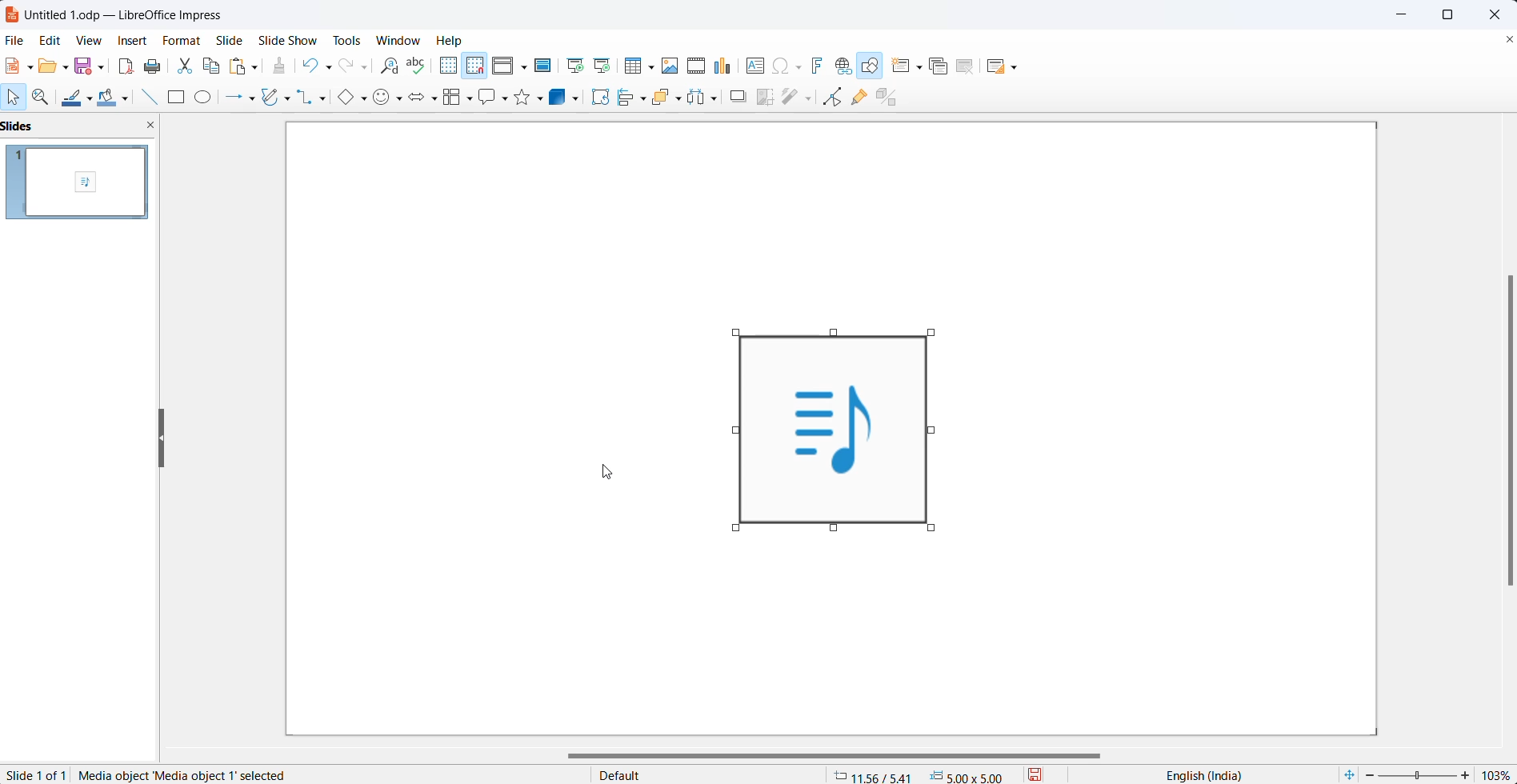 Image resolution: width=1517 pixels, height=784 pixels. I want to click on save, so click(85, 66).